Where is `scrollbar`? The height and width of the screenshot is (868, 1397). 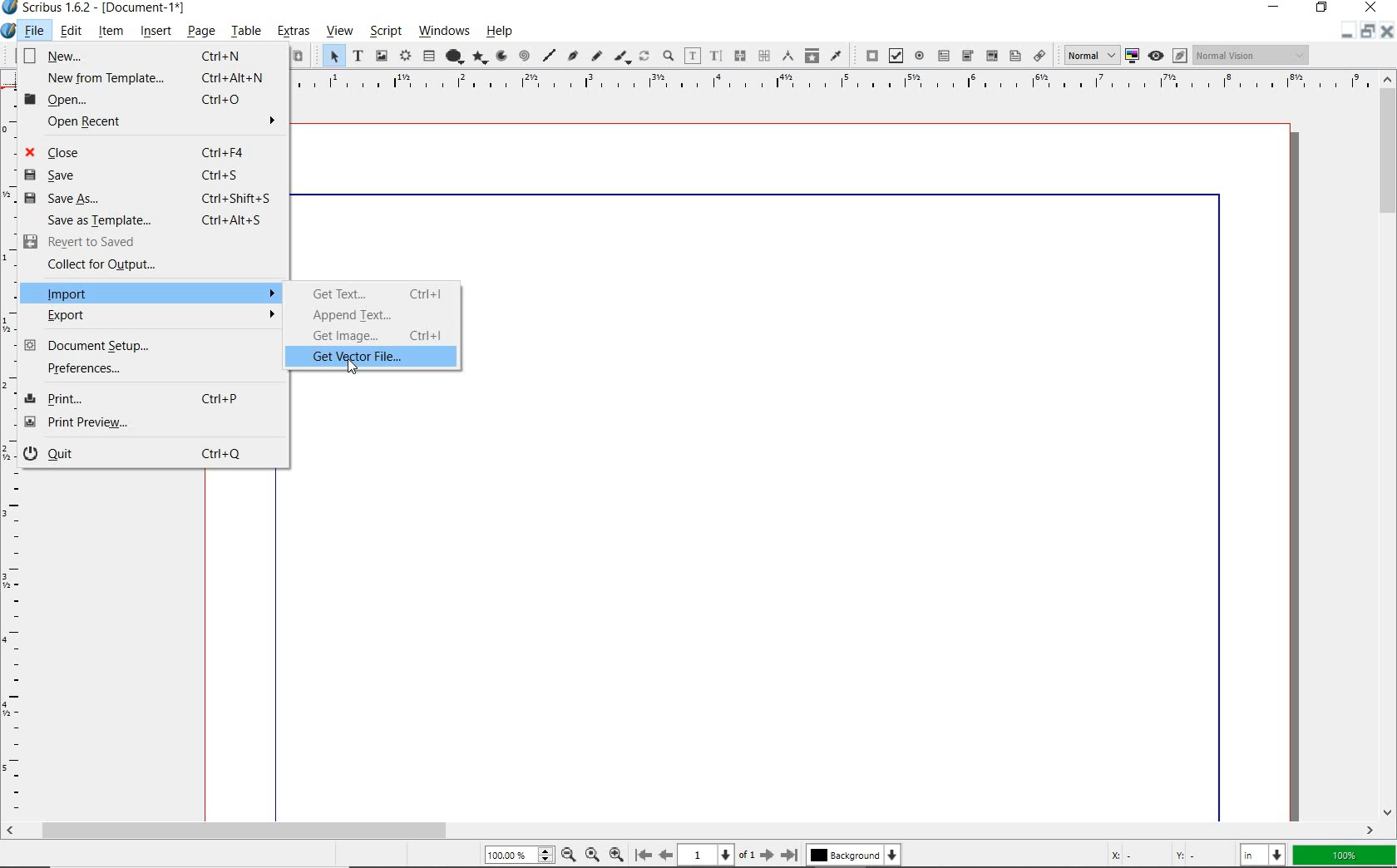
scrollbar is located at coordinates (690, 832).